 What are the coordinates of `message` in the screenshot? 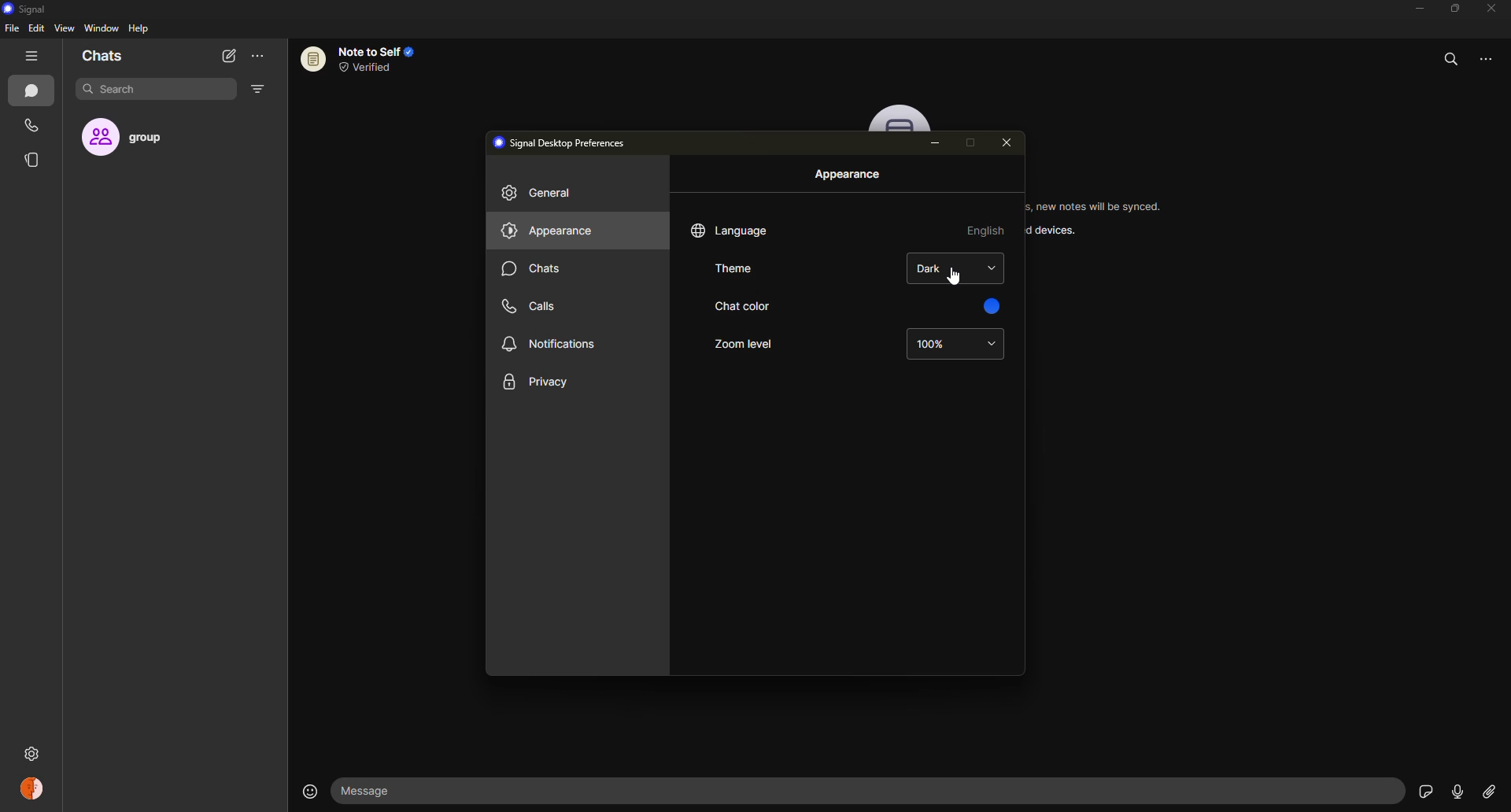 It's located at (439, 792).